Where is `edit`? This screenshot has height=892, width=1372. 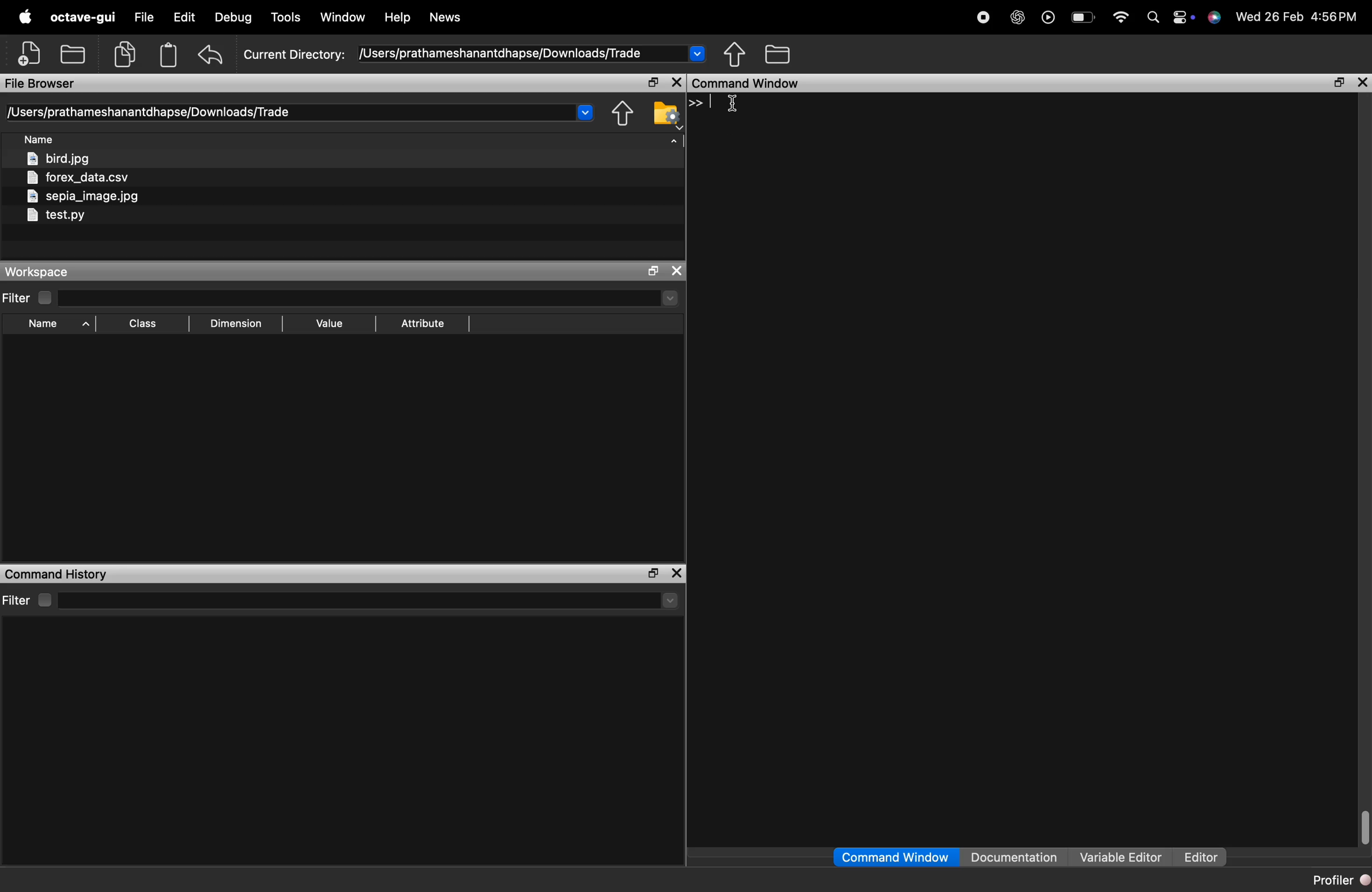 edit is located at coordinates (186, 17).